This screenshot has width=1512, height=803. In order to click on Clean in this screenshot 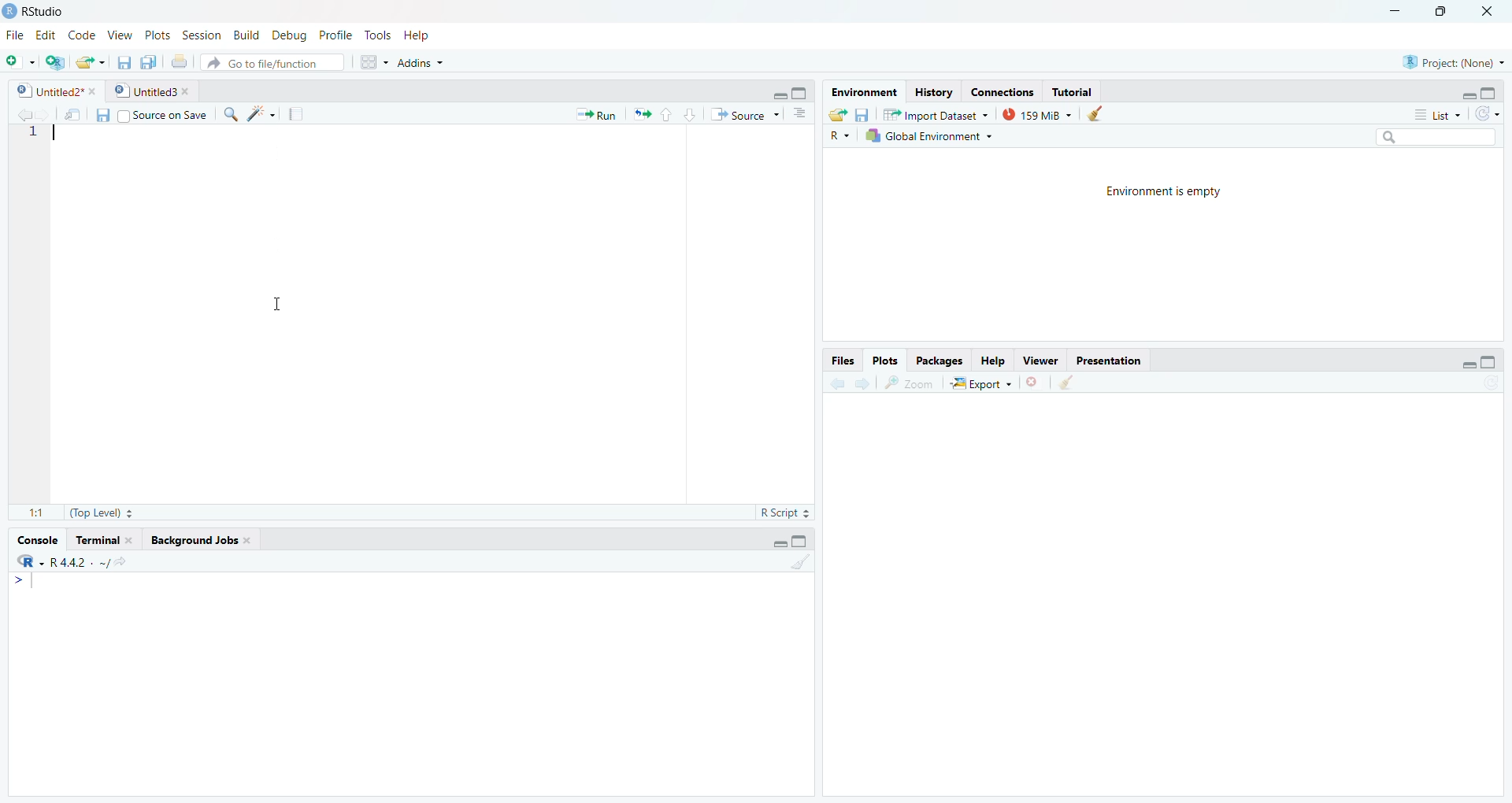, I will do `click(799, 561)`.